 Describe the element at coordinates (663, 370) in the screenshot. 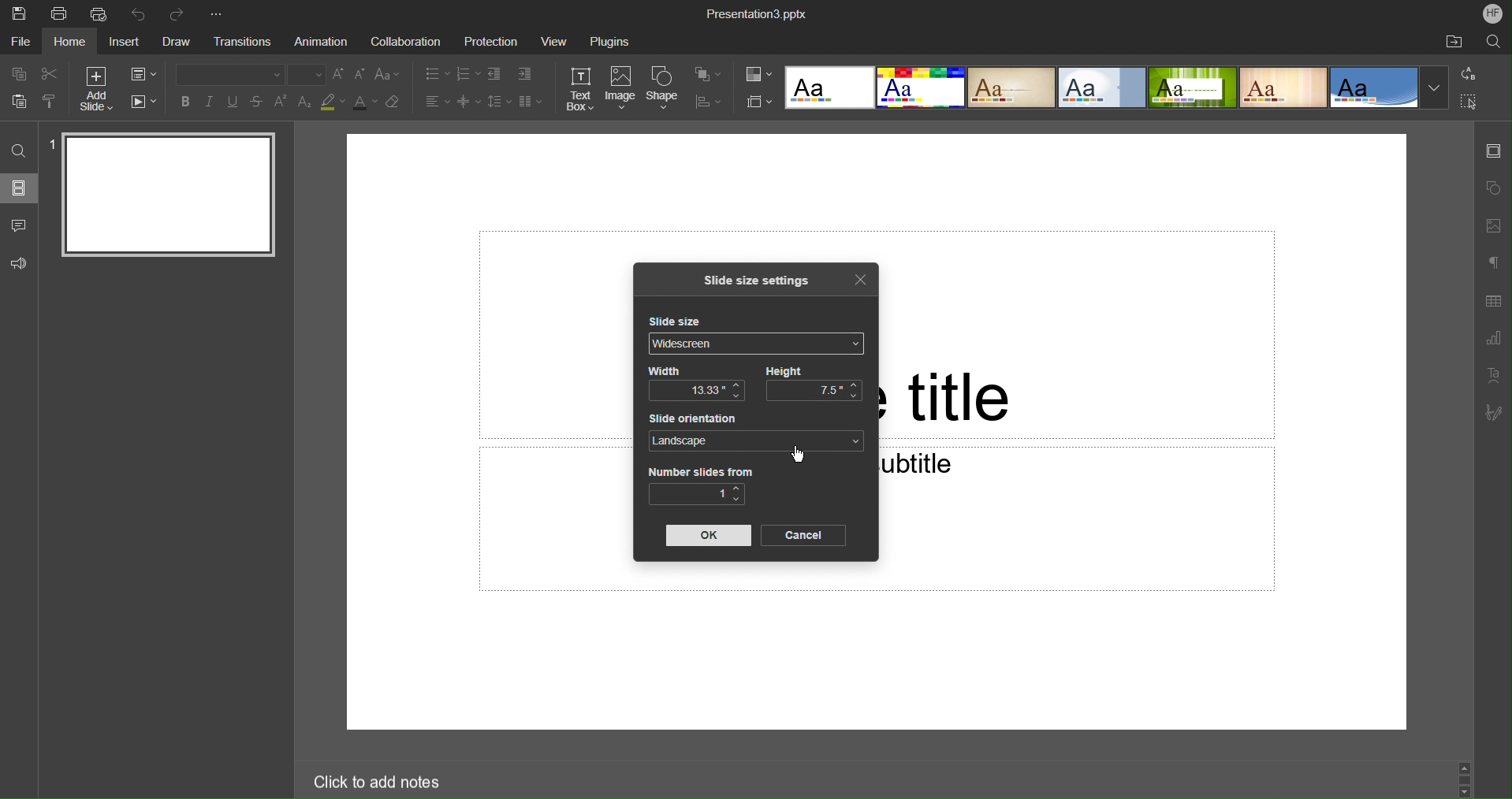

I see `Width` at that location.